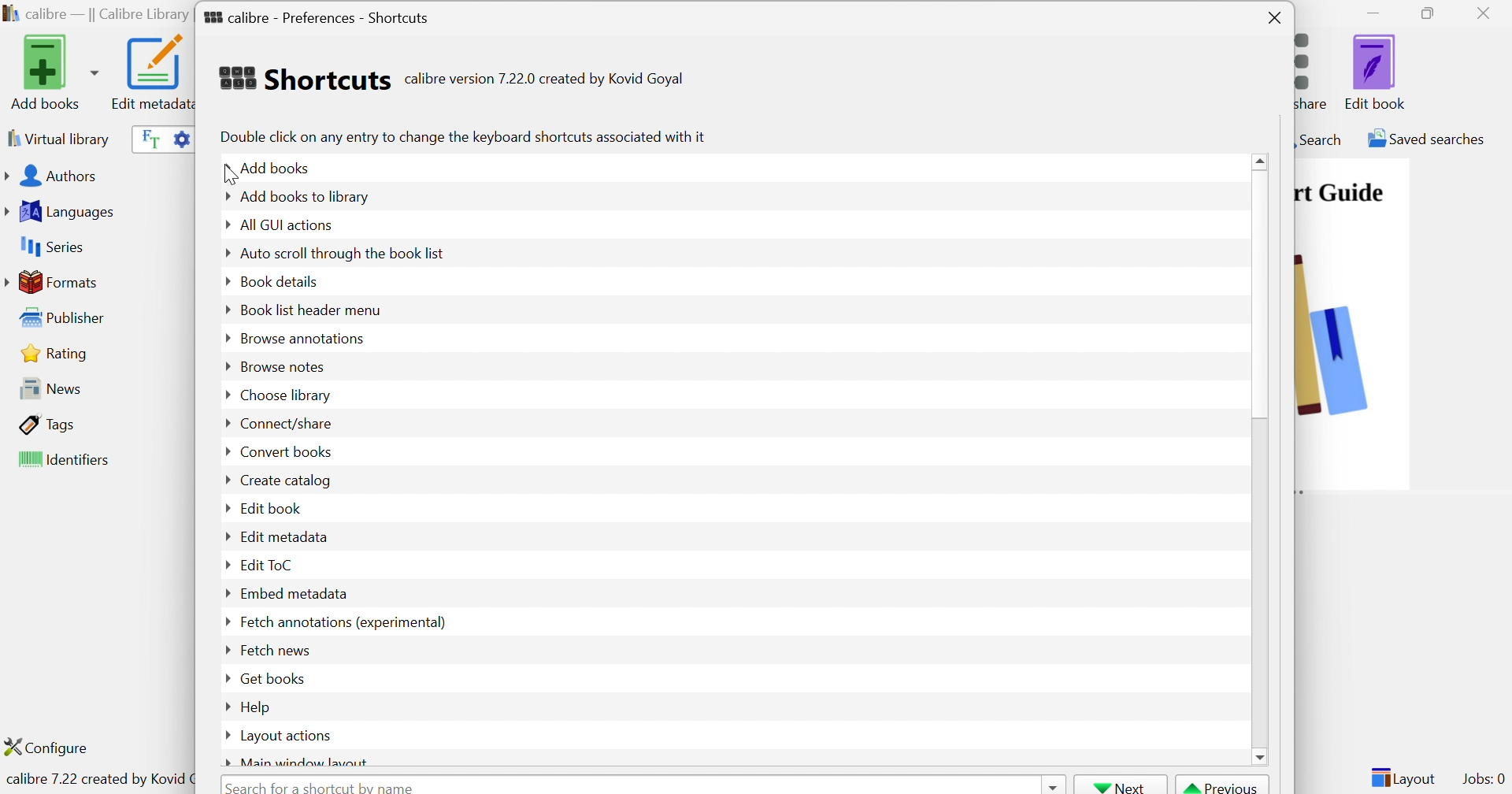  What do you see at coordinates (46, 388) in the screenshot?
I see `News` at bounding box center [46, 388].